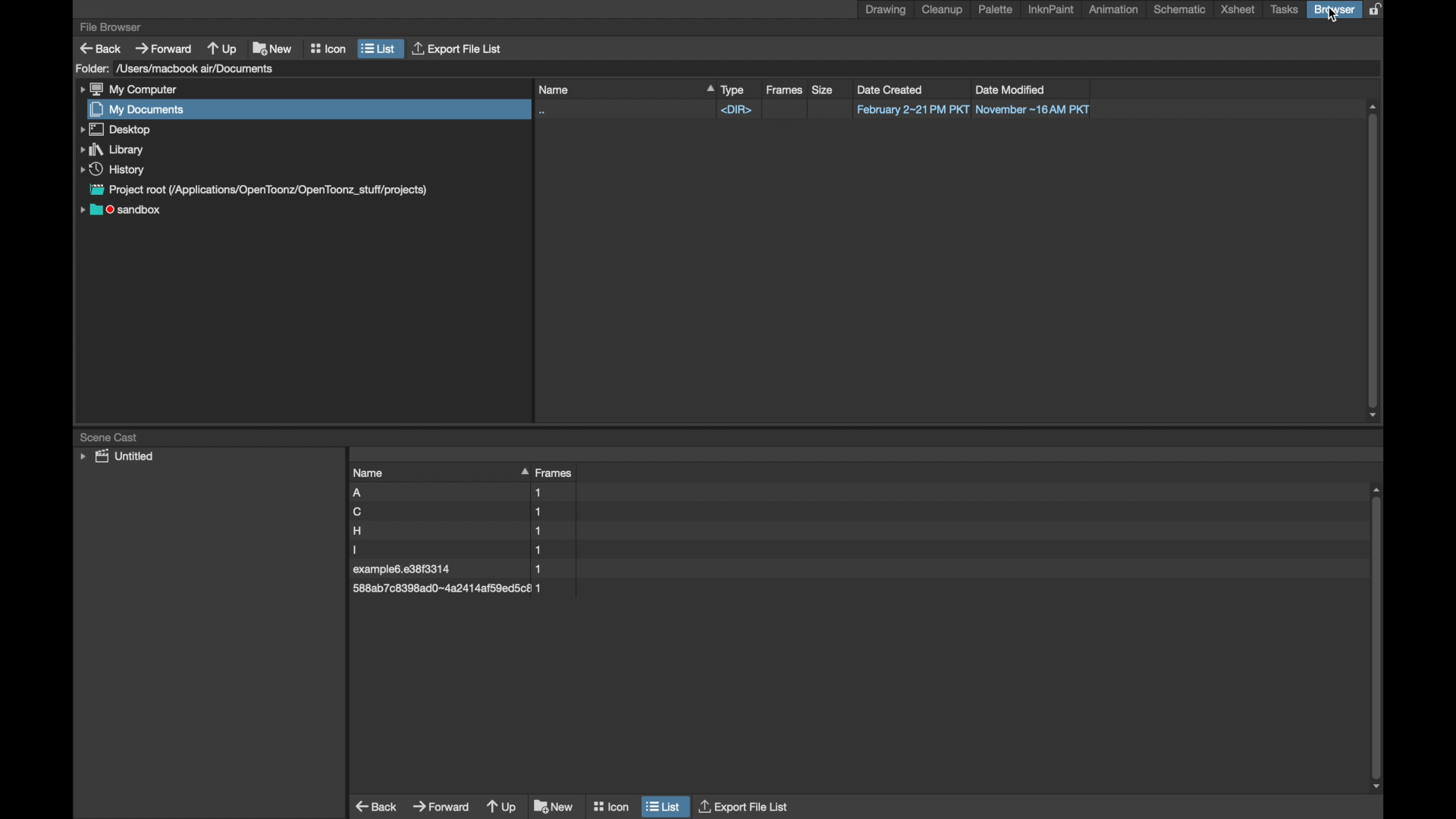 The height and width of the screenshot is (819, 1456). I want to click on library, so click(109, 149).